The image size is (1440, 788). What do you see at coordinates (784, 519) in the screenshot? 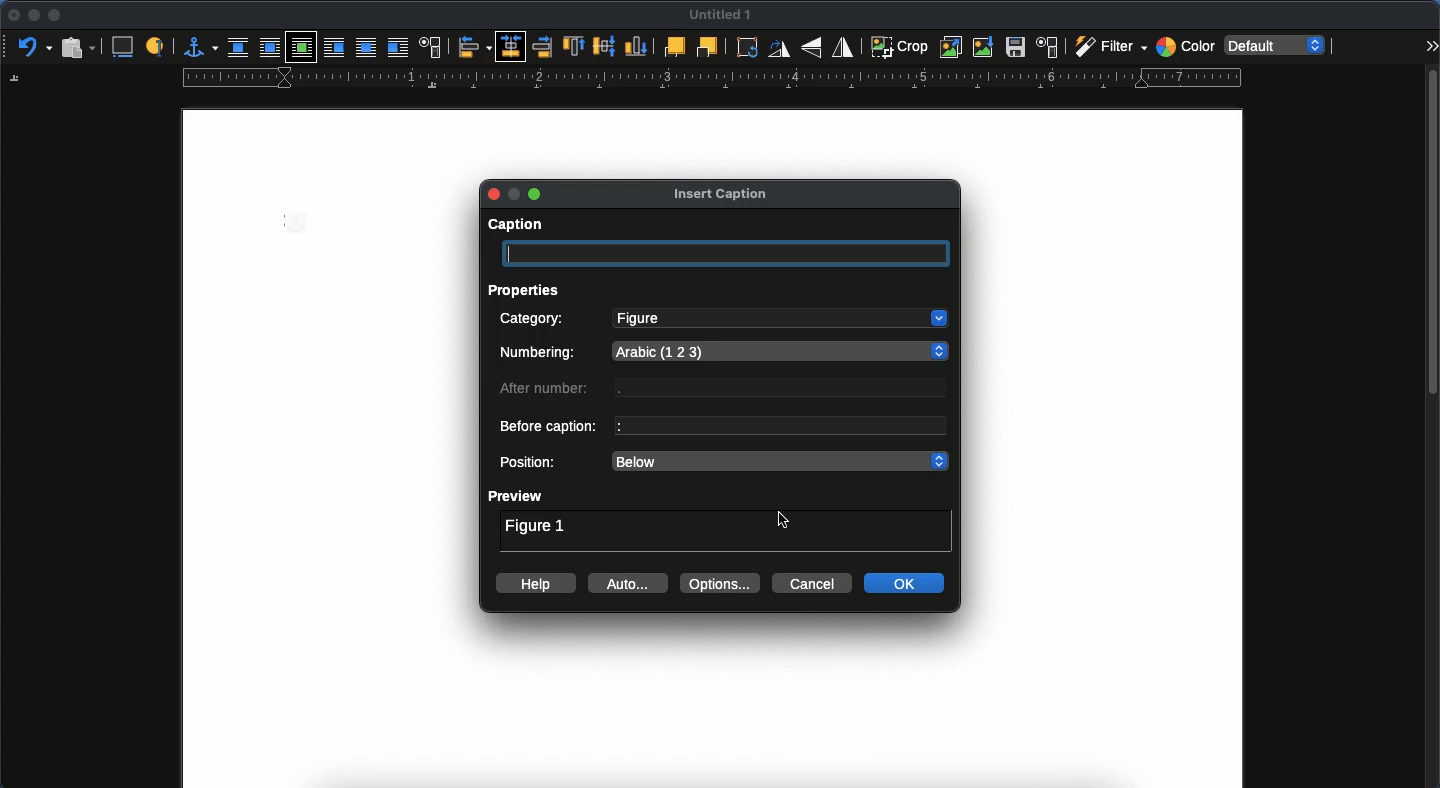
I see `cursor` at bounding box center [784, 519].